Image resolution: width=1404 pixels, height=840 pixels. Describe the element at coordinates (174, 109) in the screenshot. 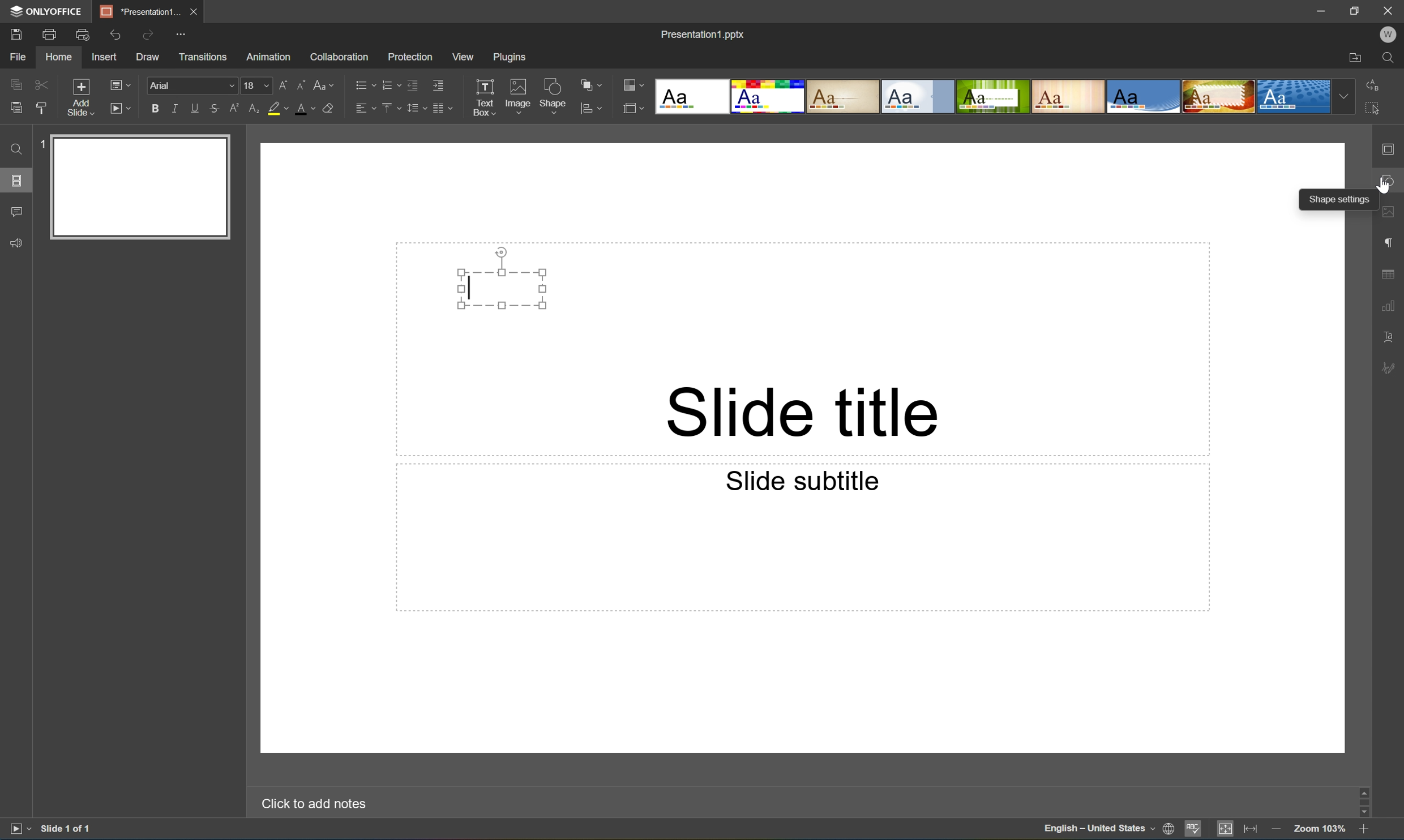

I see `Italic` at that location.